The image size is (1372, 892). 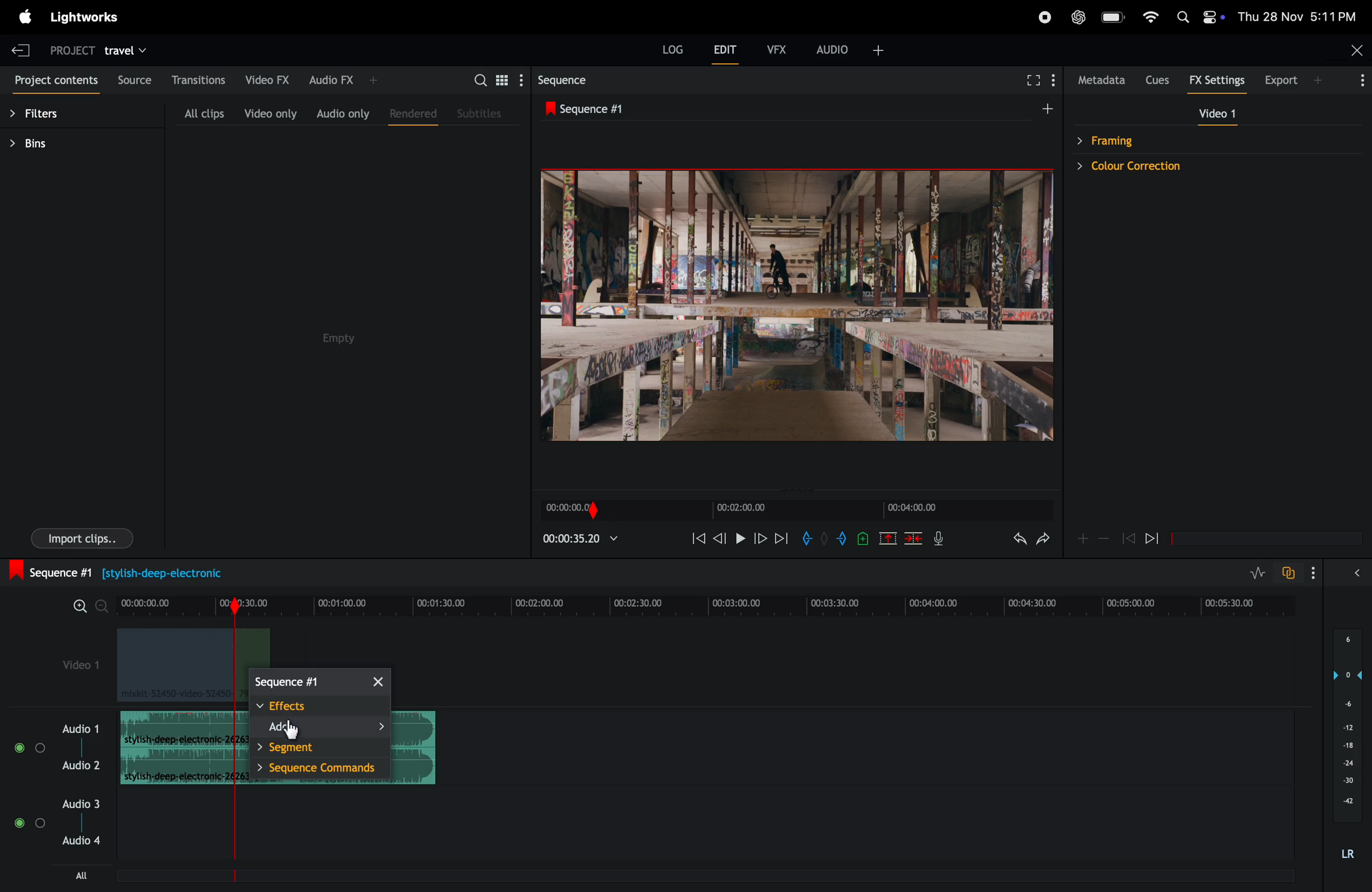 What do you see at coordinates (1347, 743) in the screenshot?
I see `audio pitch` at bounding box center [1347, 743].